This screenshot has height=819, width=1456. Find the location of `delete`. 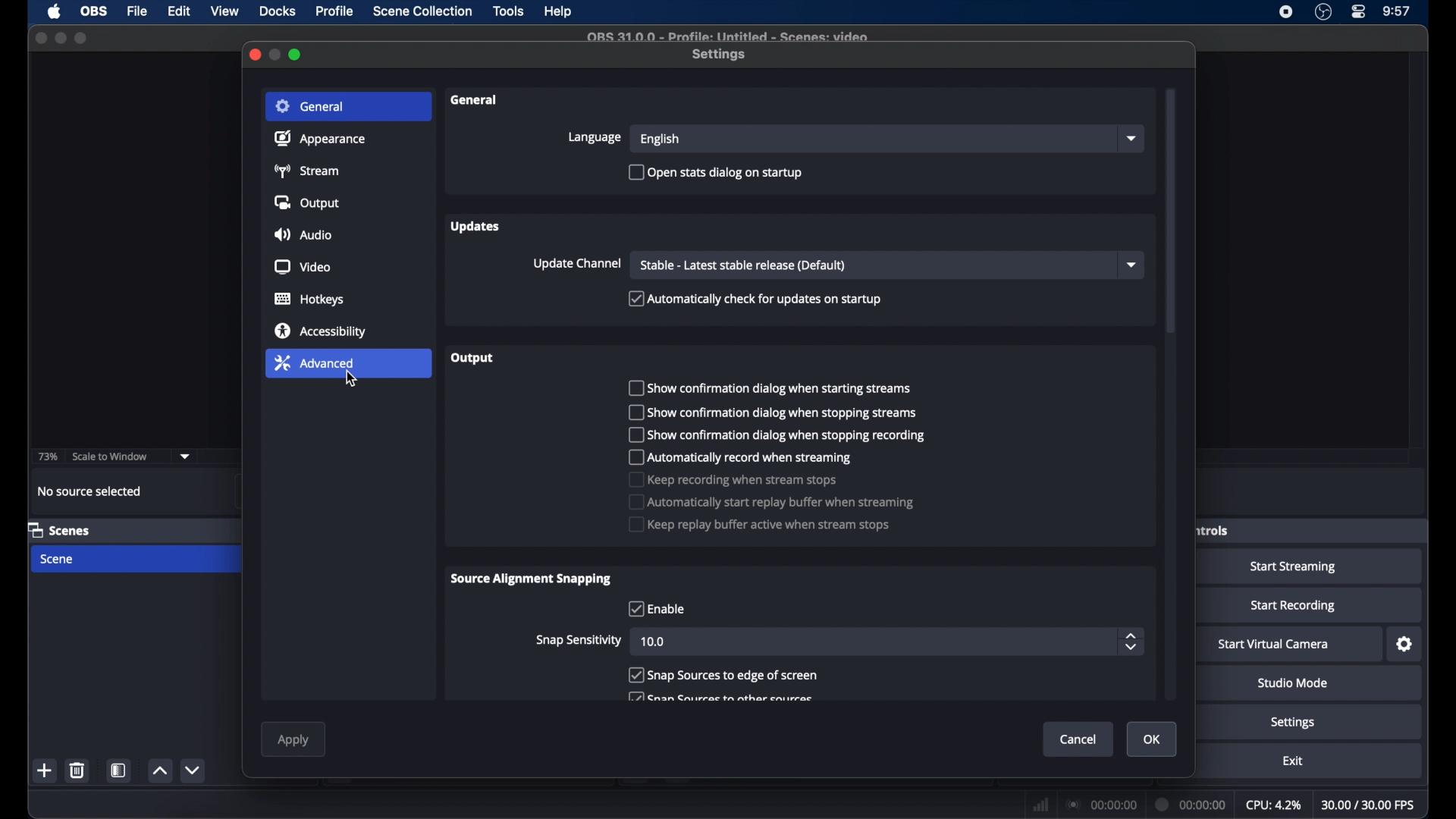

delete is located at coordinates (80, 770).